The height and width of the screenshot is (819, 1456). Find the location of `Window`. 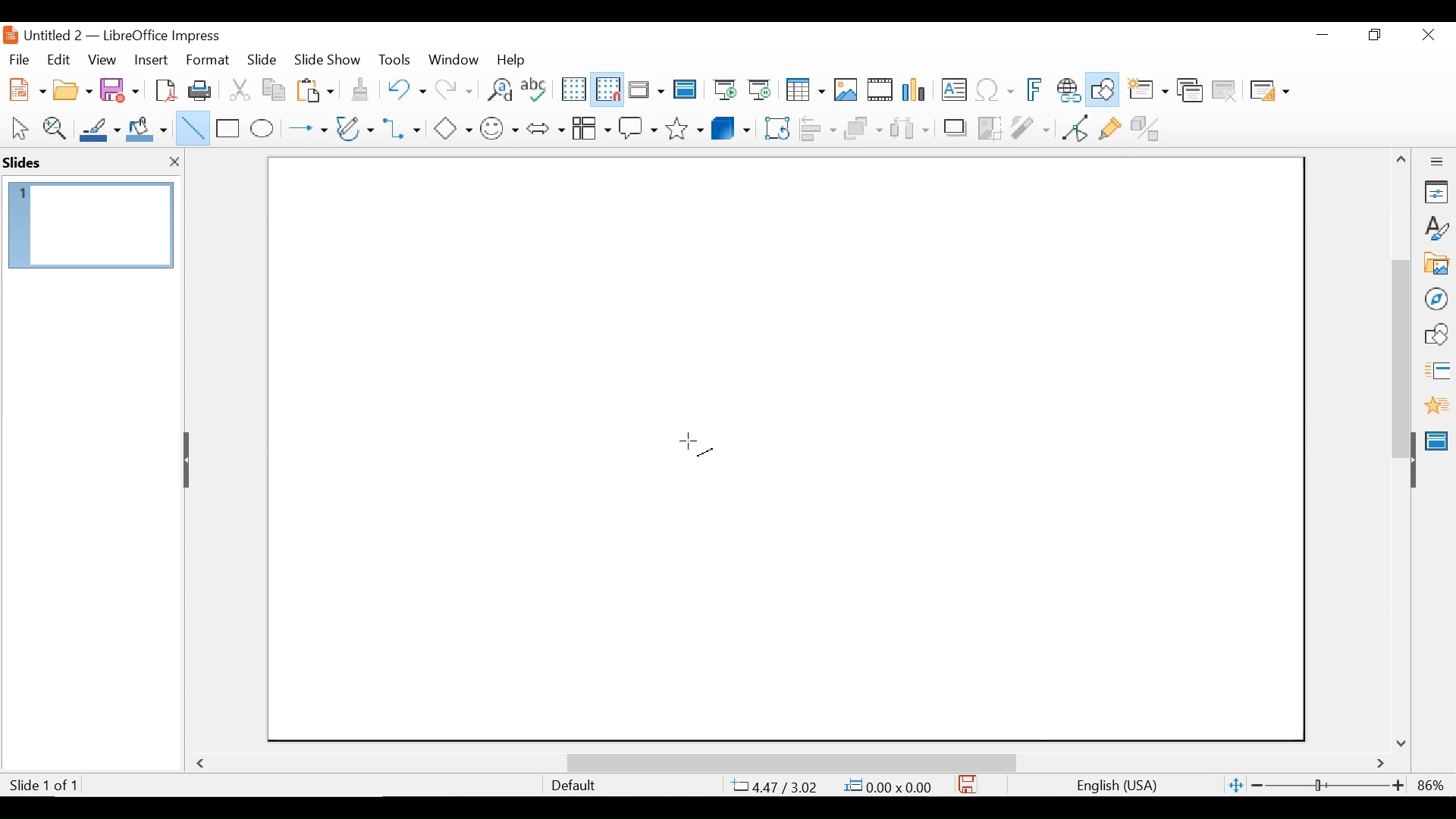

Window is located at coordinates (453, 59).